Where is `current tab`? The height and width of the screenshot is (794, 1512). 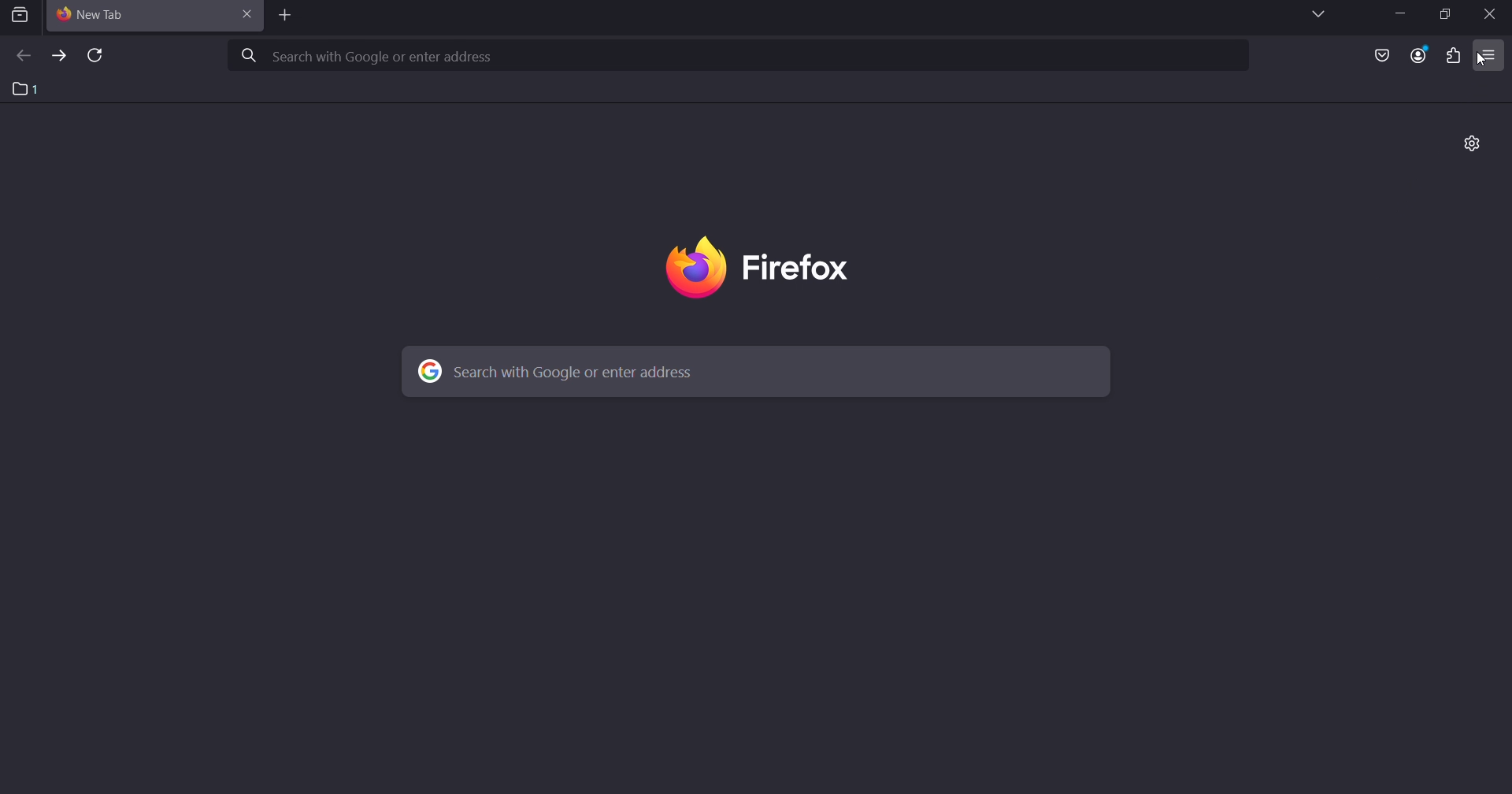 current tab is located at coordinates (110, 16).